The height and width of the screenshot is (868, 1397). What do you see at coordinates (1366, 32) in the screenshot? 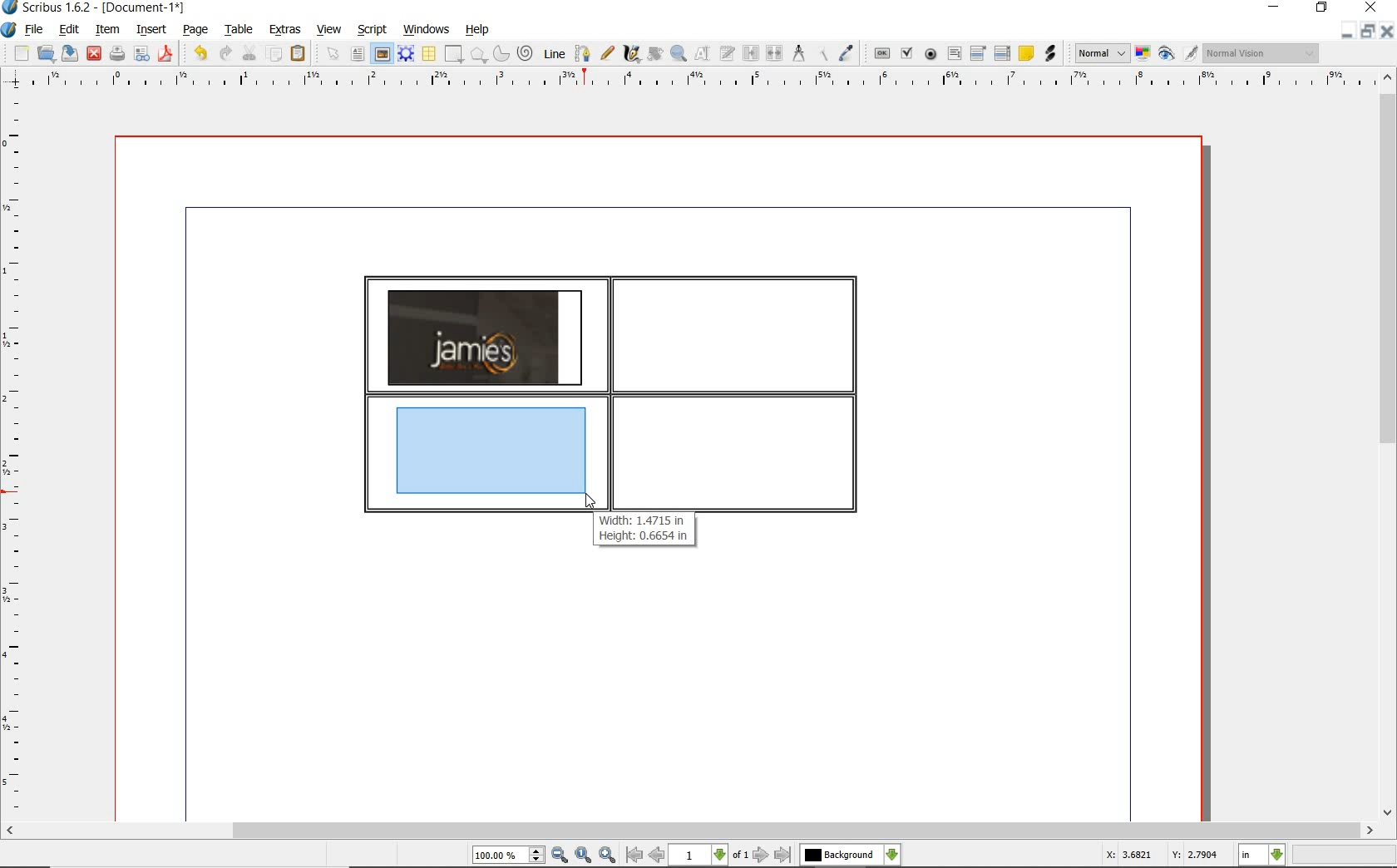
I see `restore` at bounding box center [1366, 32].